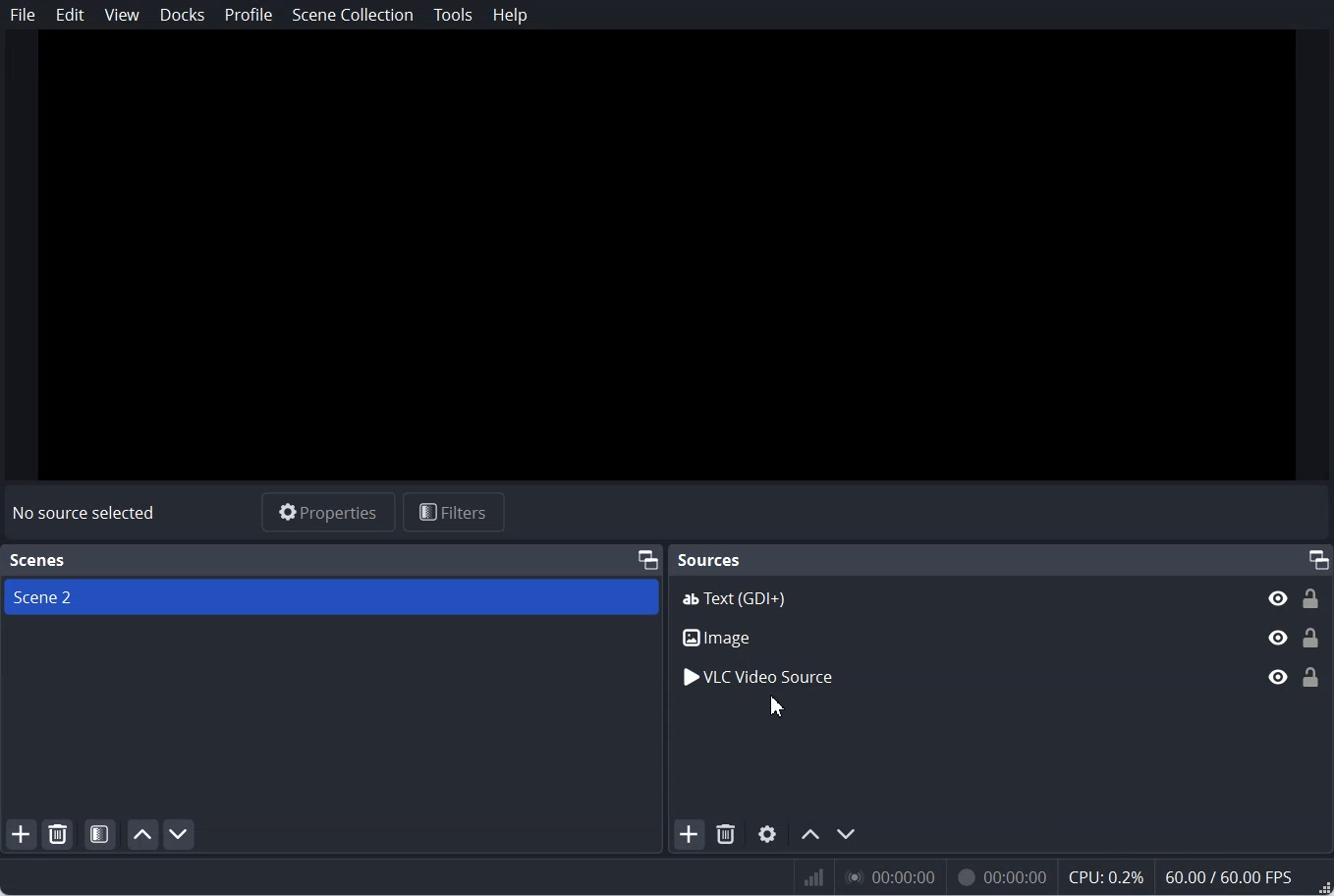 The height and width of the screenshot is (896, 1334). I want to click on Tools, so click(453, 15).